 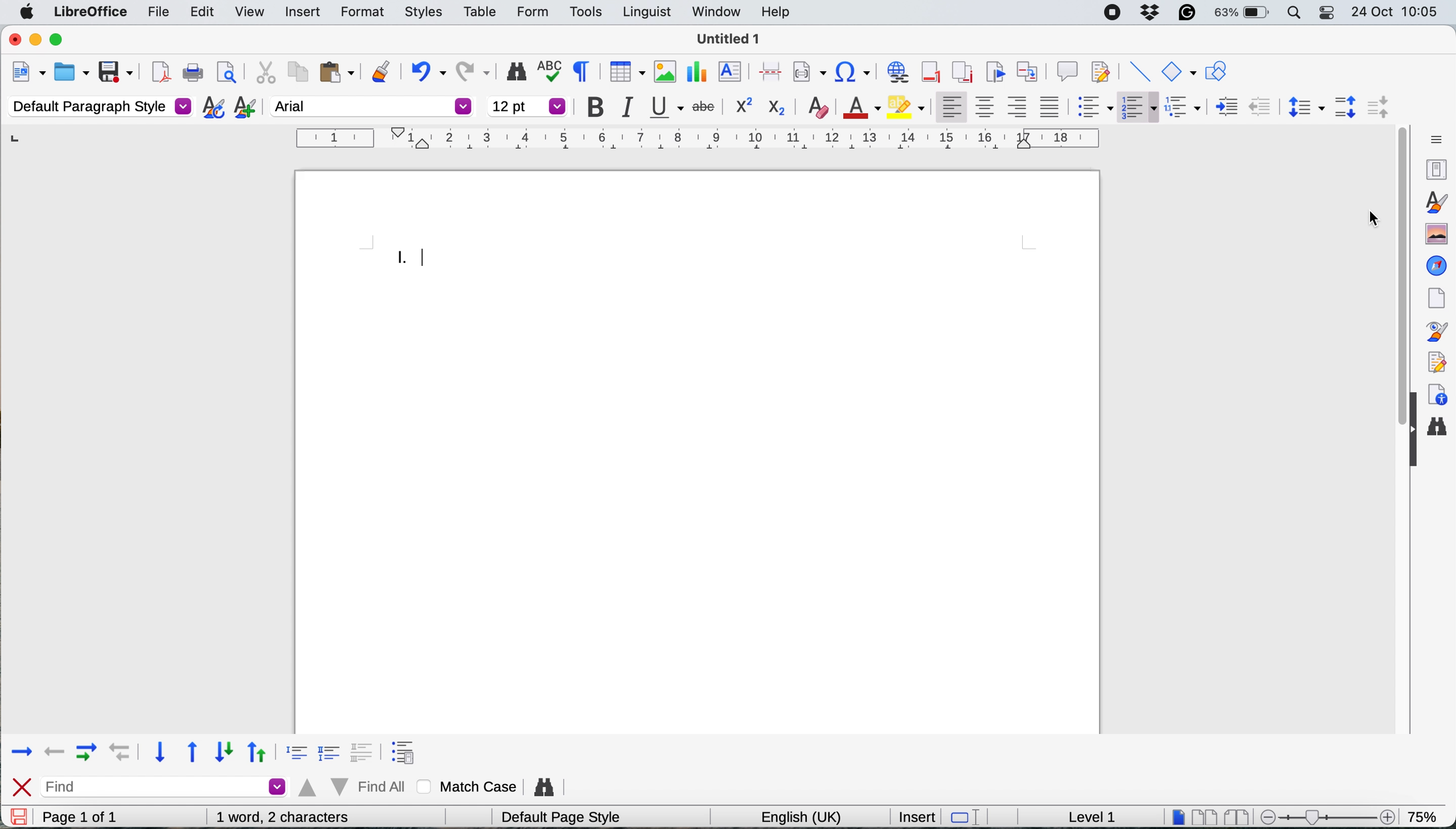 What do you see at coordinates (265, 72) in the screenshot?
I see `cut` at bounding box center [265, 72].